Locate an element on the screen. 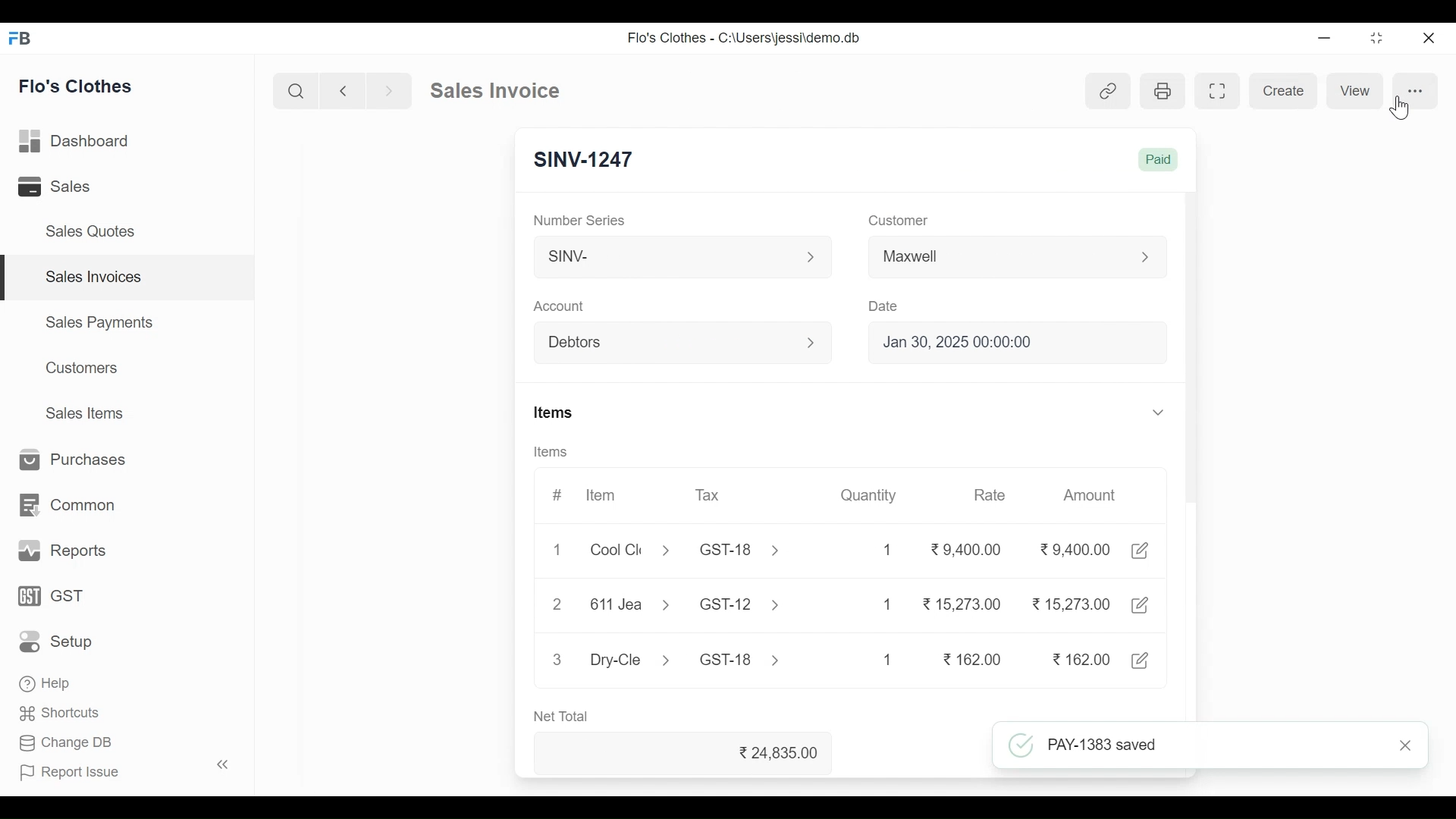  2 is located at coordinates (557, 603).